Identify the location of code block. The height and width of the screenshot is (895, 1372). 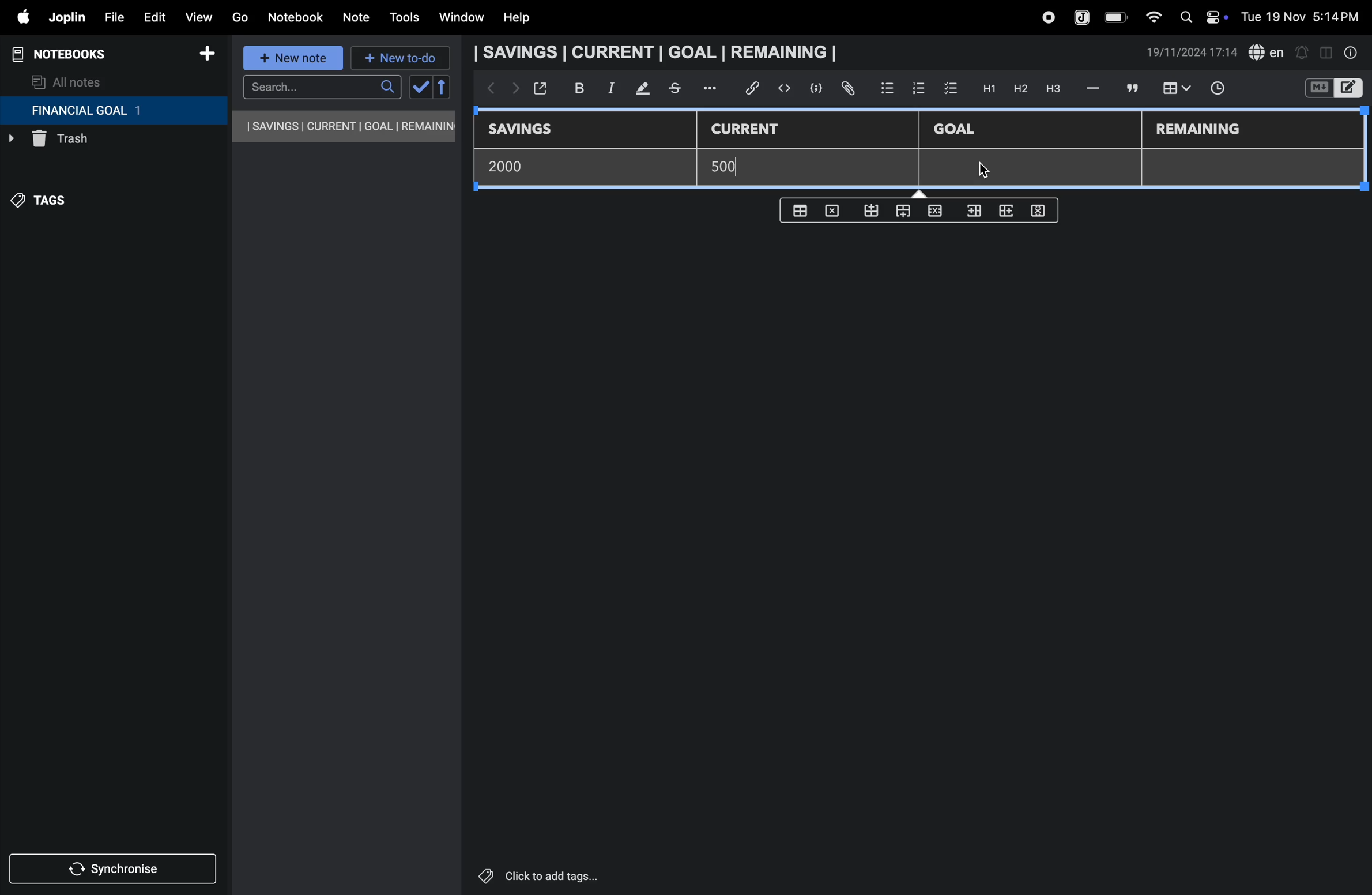
(812, 88).